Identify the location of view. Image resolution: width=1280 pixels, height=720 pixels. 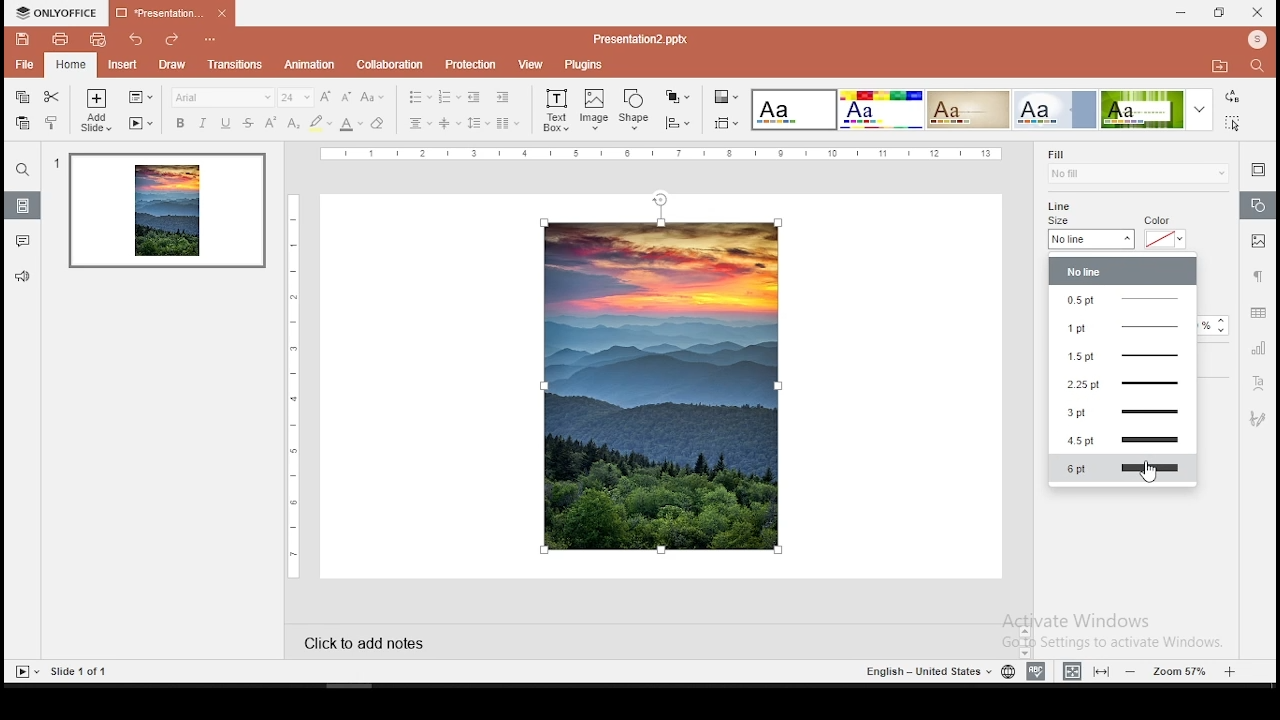
(532, 66).